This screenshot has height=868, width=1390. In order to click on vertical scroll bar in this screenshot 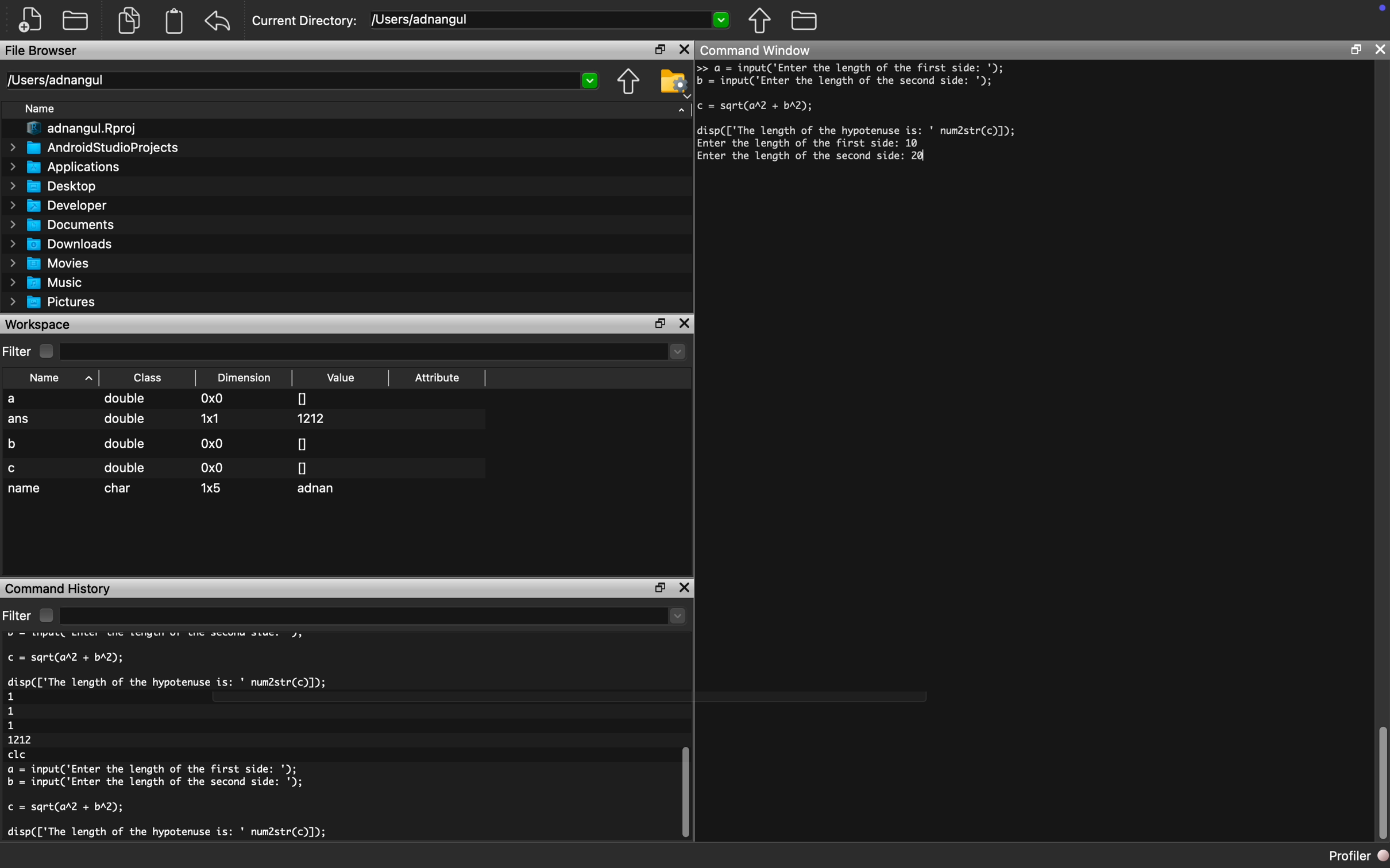, I will do `click(1382, 784)`.